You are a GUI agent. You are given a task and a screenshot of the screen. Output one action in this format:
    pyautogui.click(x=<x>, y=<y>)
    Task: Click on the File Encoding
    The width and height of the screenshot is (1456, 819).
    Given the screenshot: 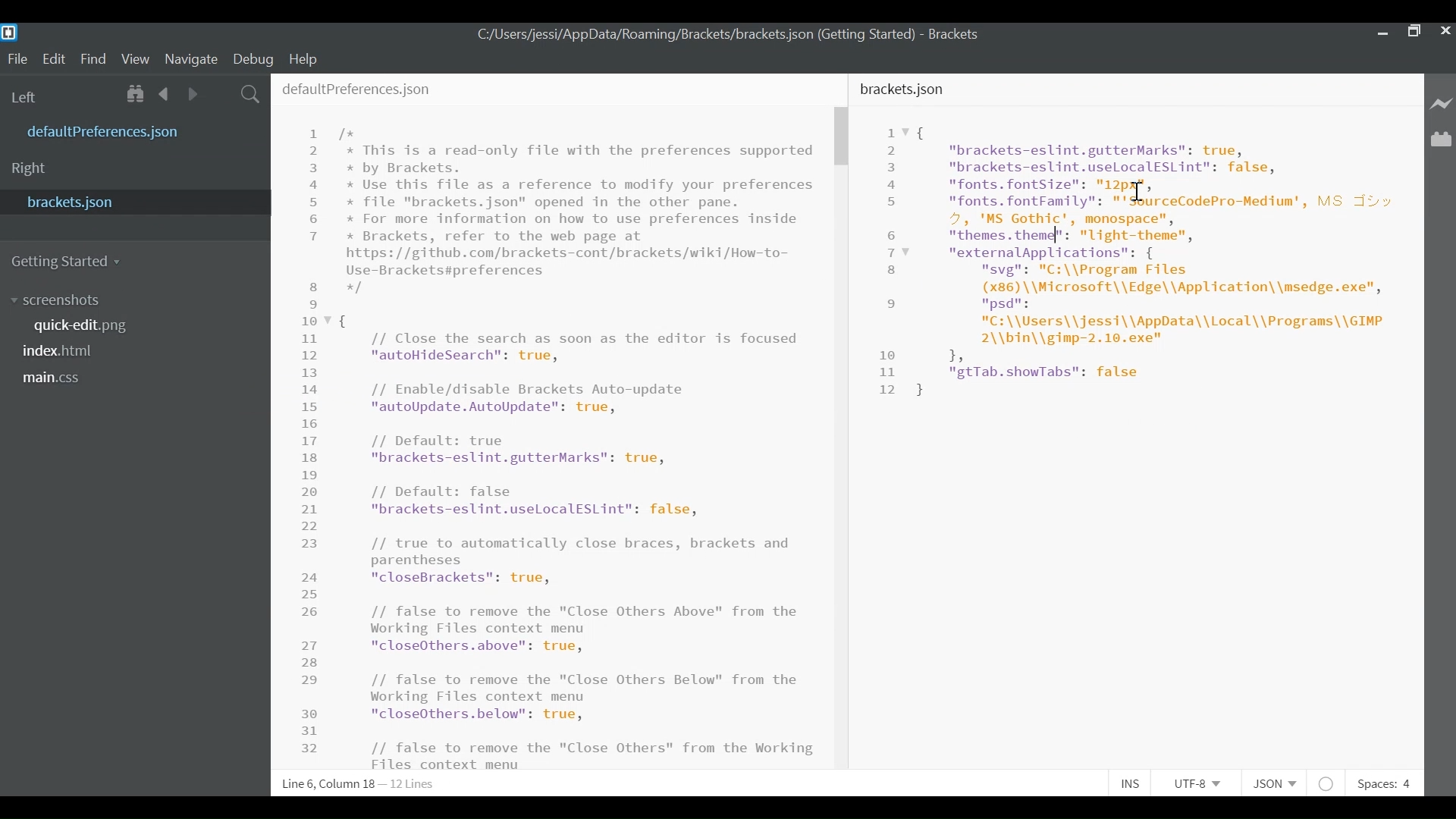 What is the action you would take?
    pyautogui.click(x=1198, y=783)
    